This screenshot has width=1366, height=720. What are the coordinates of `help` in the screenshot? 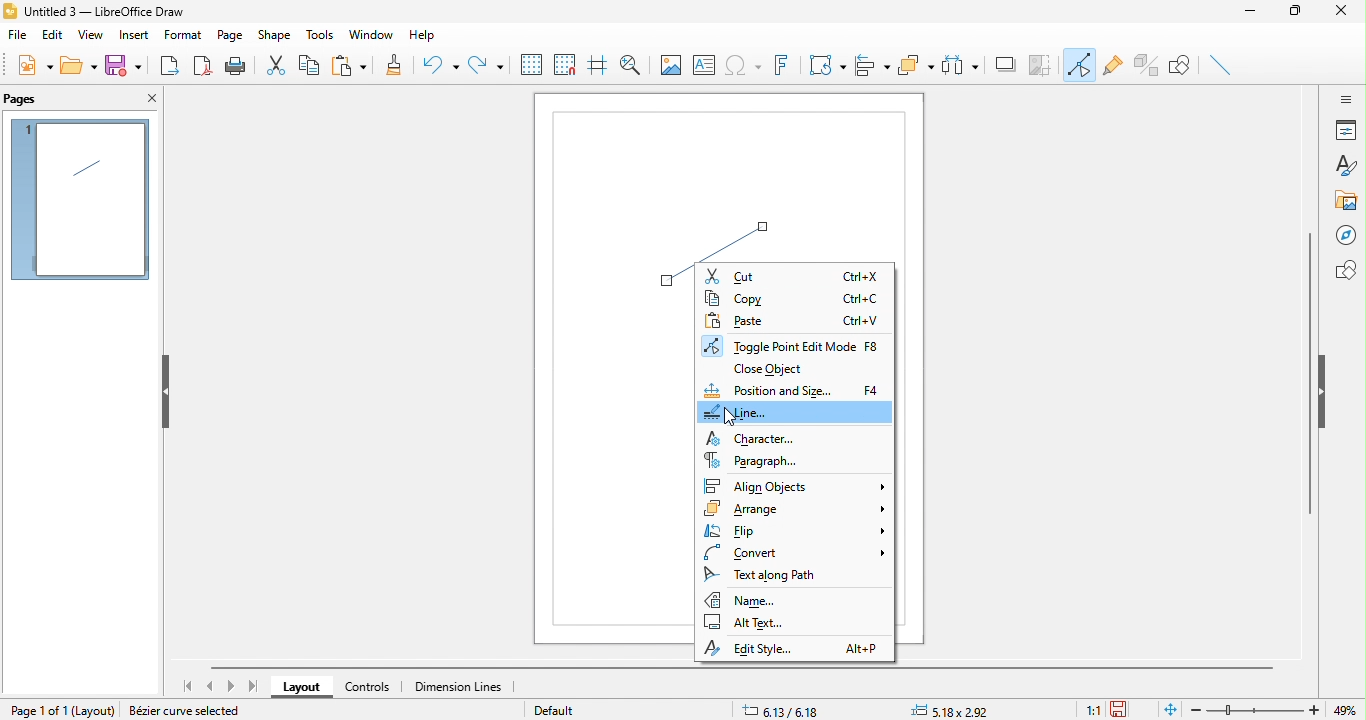 It's located at (421, 37).